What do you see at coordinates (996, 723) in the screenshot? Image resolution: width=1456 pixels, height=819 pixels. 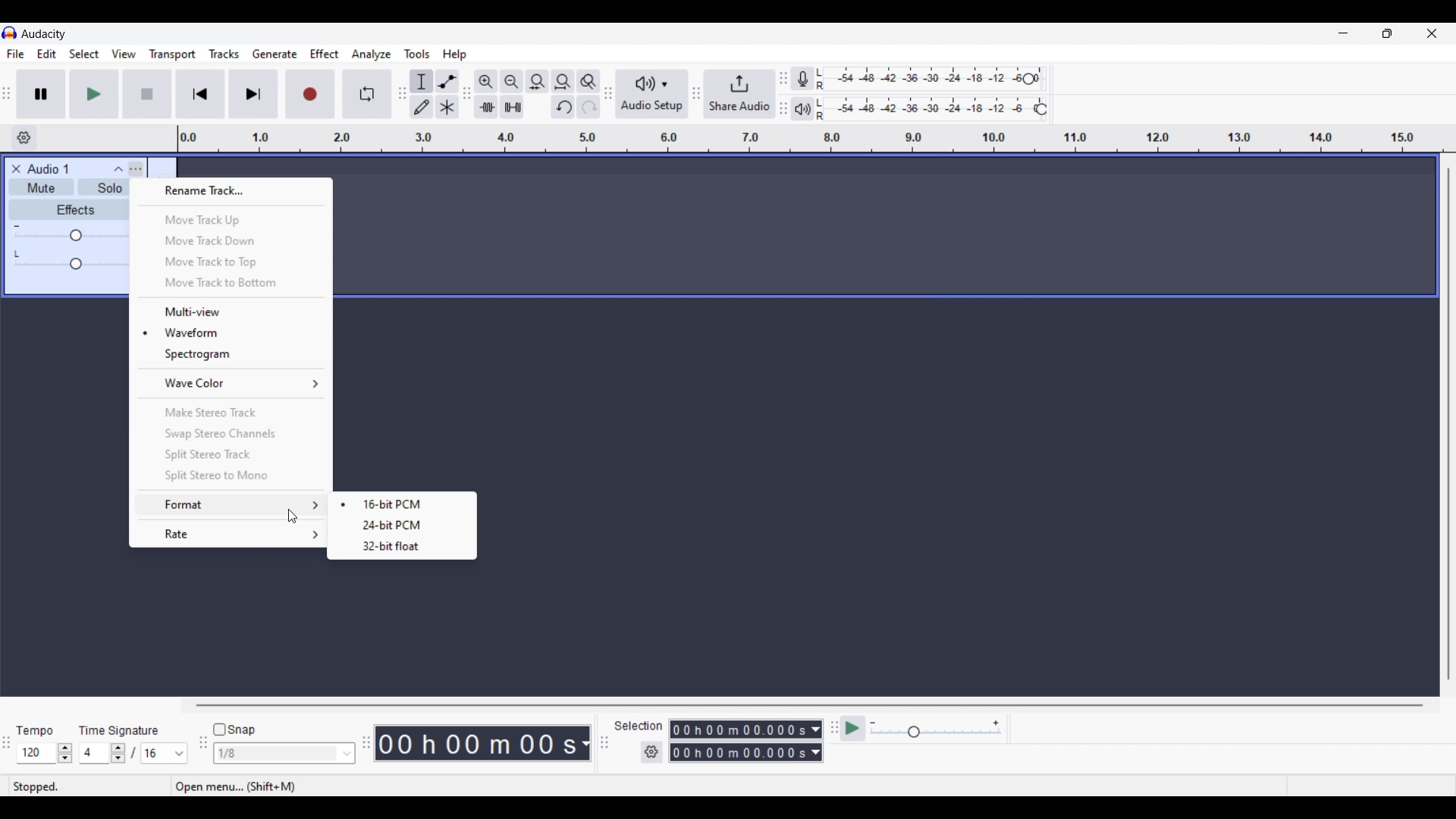 I see `Increase playback speed to maximum ` at bounding box center [996, 723].